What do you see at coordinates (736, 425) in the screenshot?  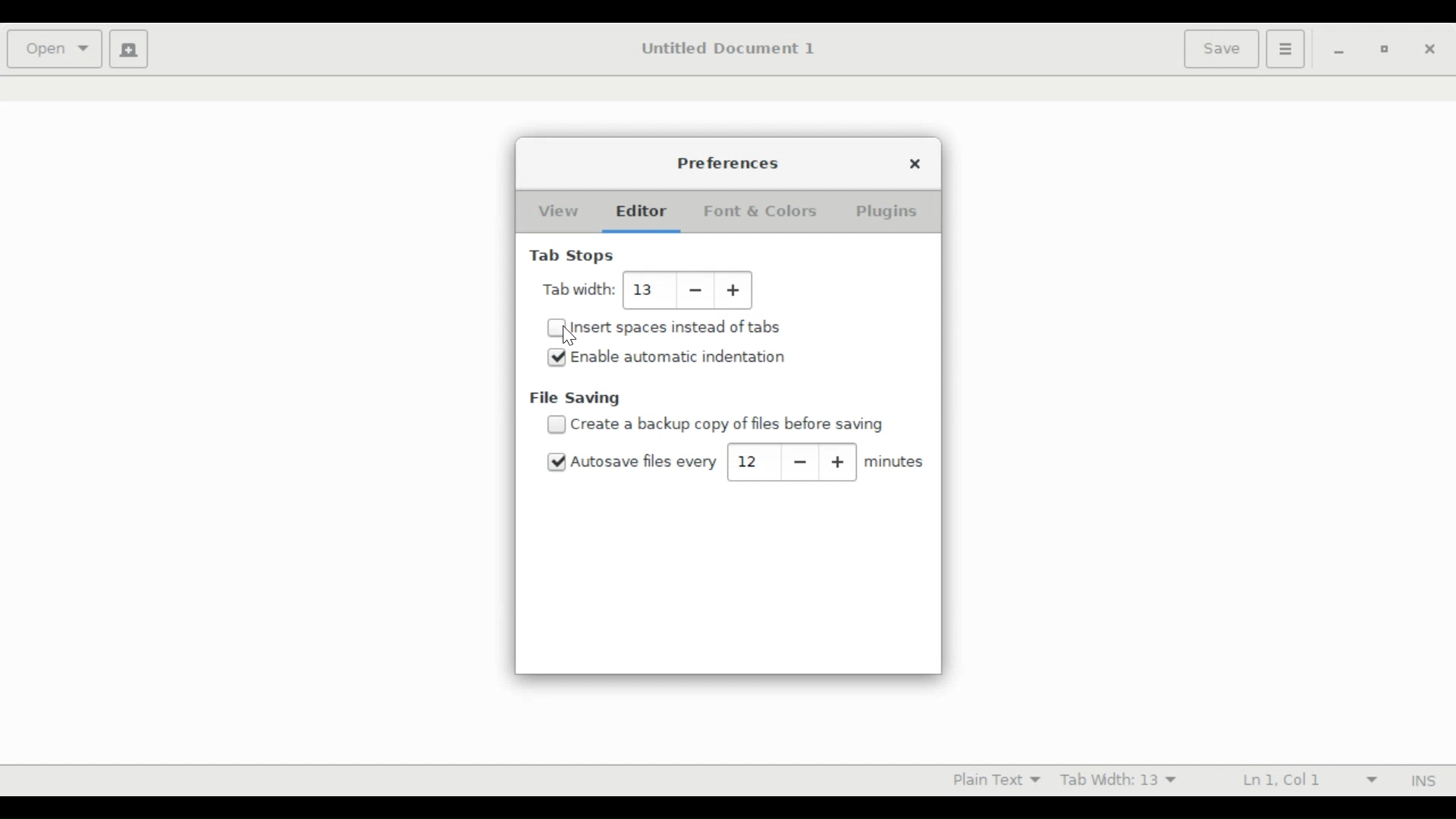 I see `(un)check Create backup copy of files before saving` at bounding box center [736, 425].